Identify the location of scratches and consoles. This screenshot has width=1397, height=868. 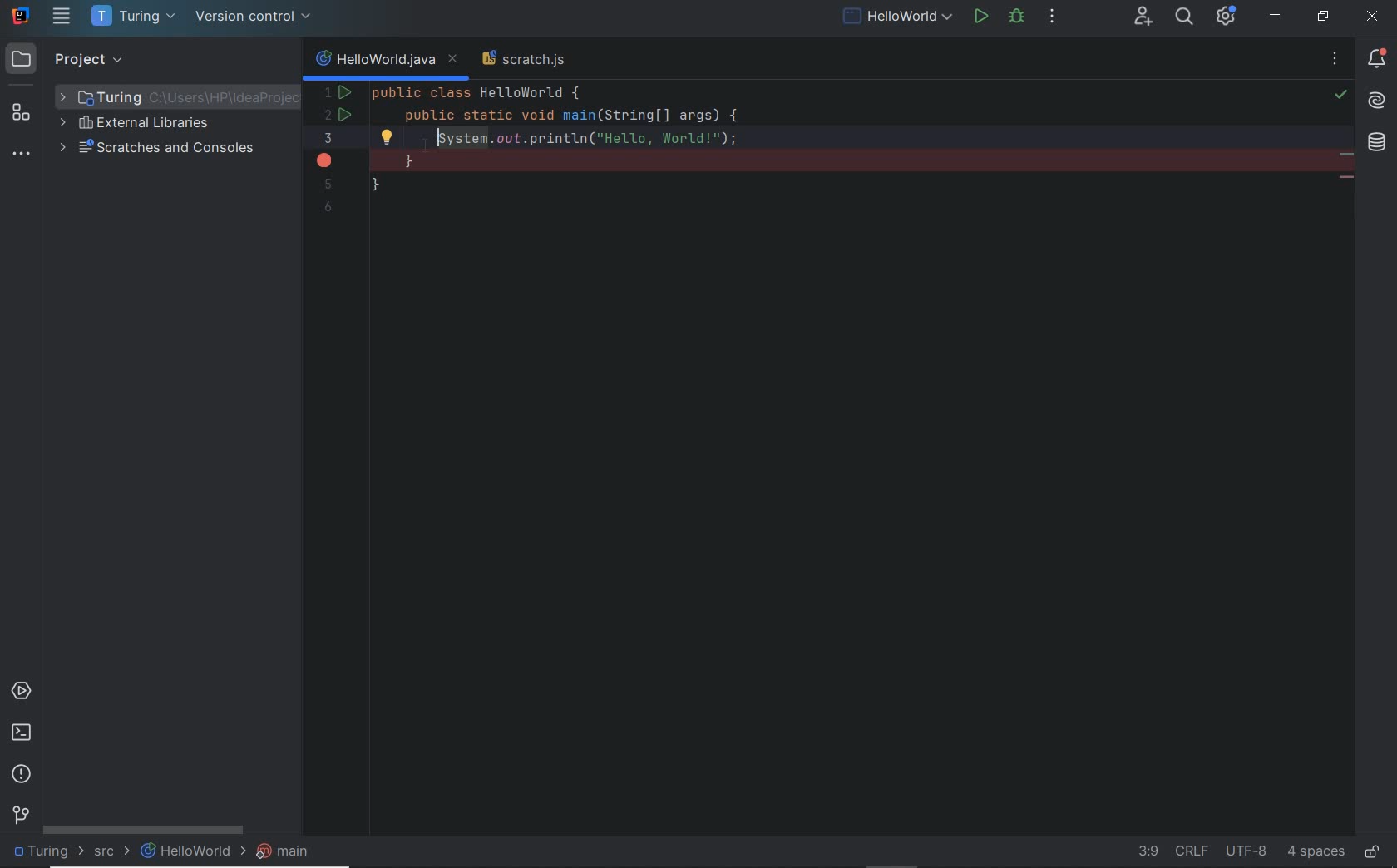
(160, 150).